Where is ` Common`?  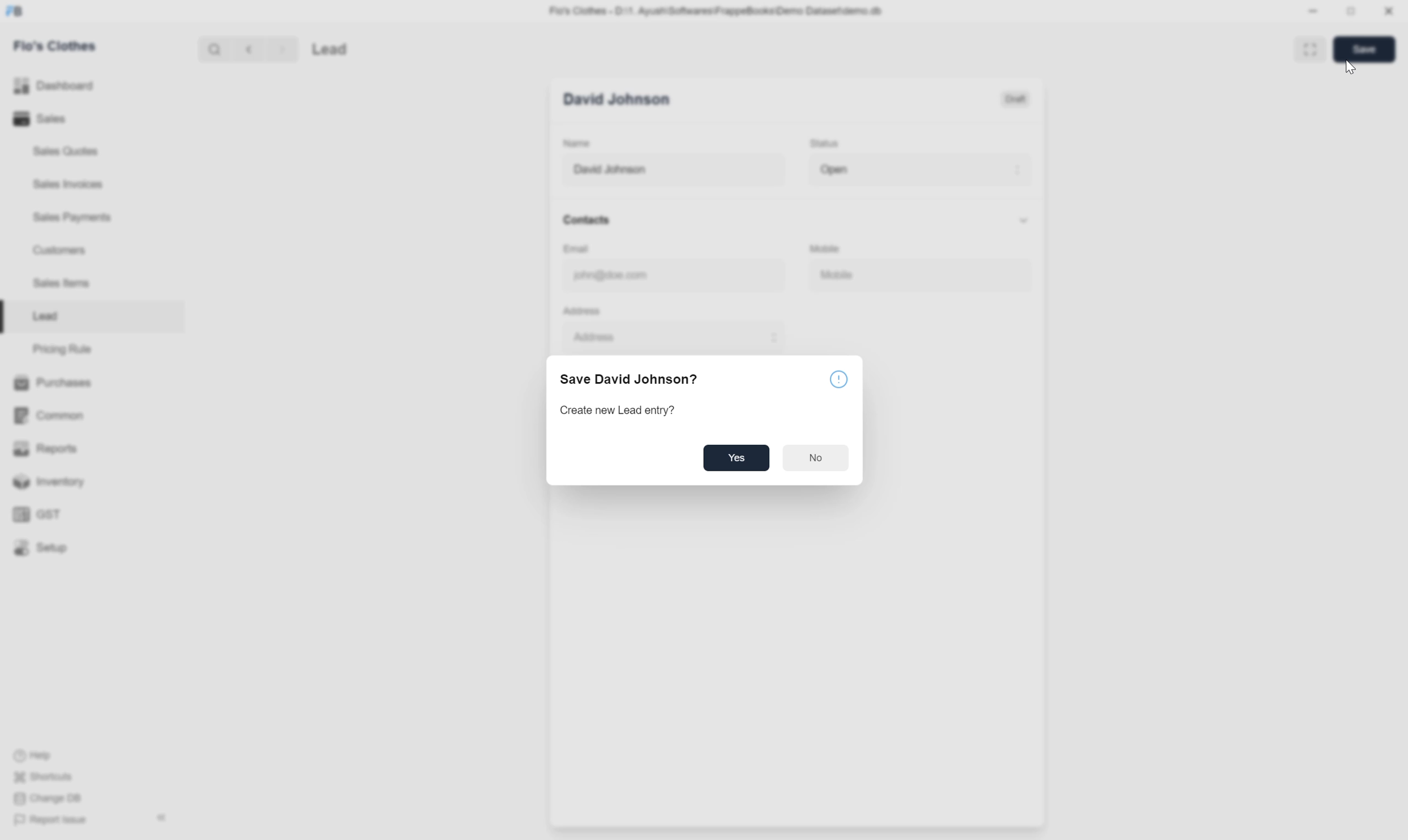
 Common is located at coordinates (48, 415).